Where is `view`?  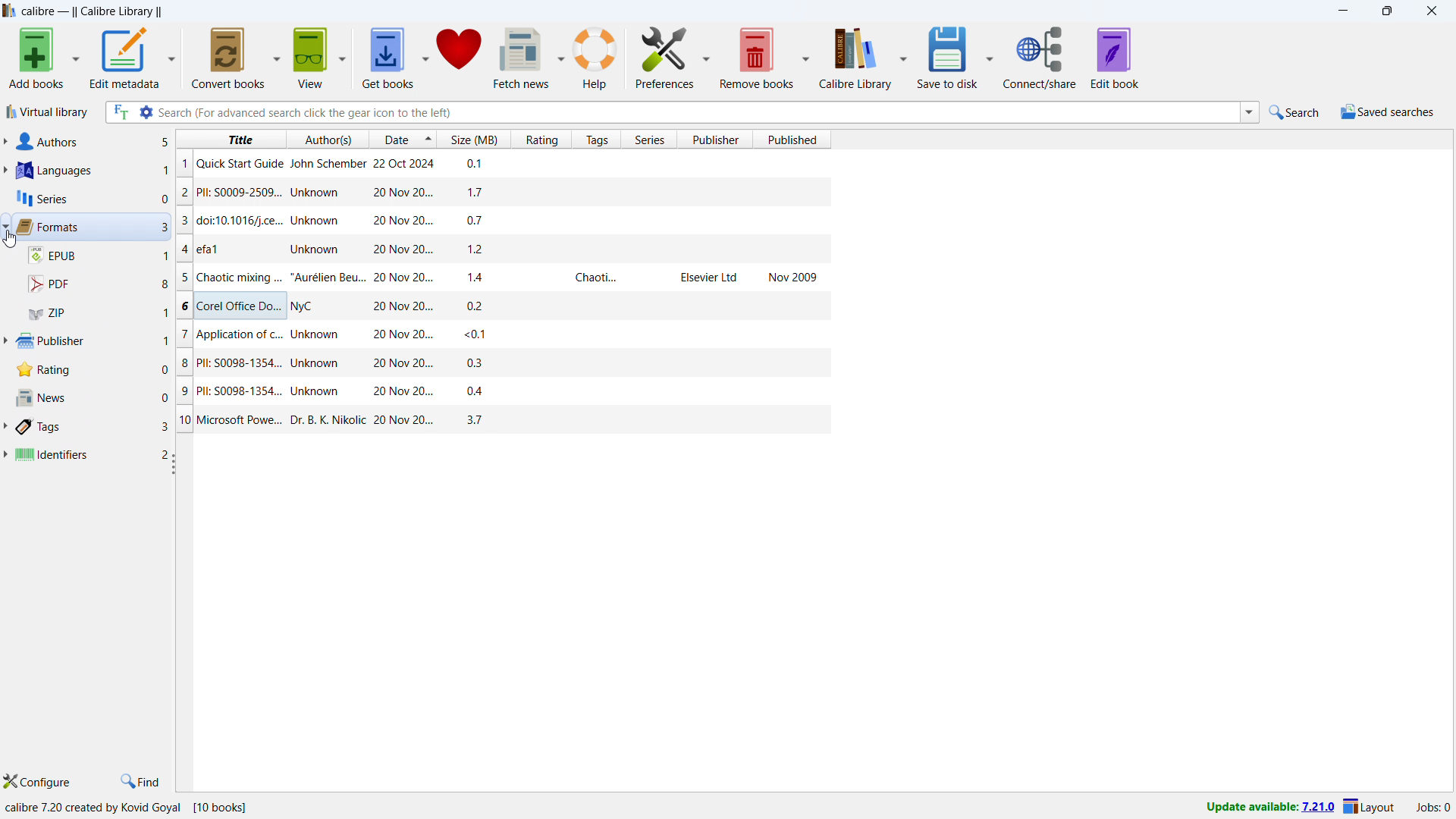 view is located at coordinates (312, 58).